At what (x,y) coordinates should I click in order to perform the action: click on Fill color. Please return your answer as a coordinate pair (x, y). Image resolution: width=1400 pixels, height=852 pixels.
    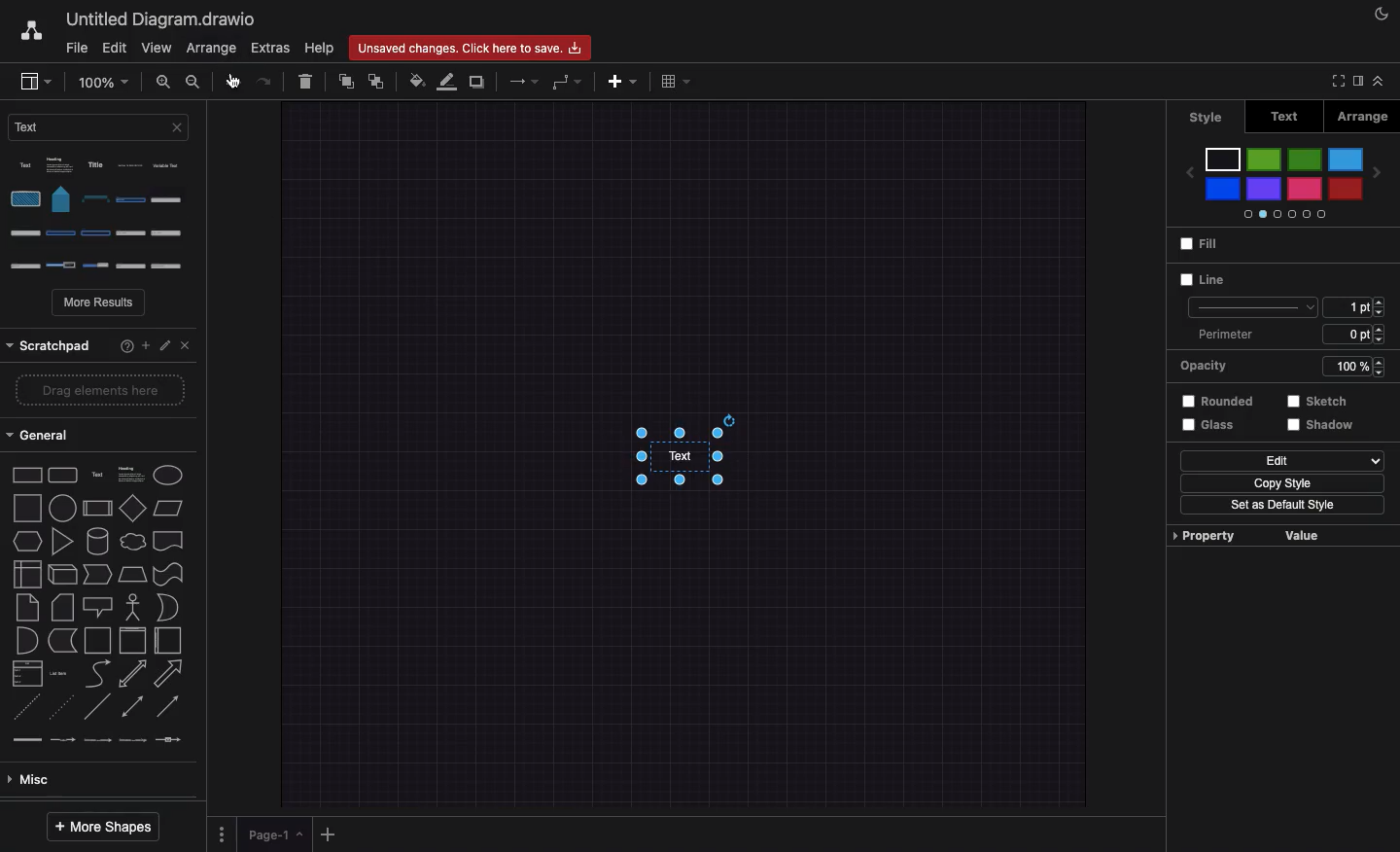
    Looking at the image, I should click on (417, 81).